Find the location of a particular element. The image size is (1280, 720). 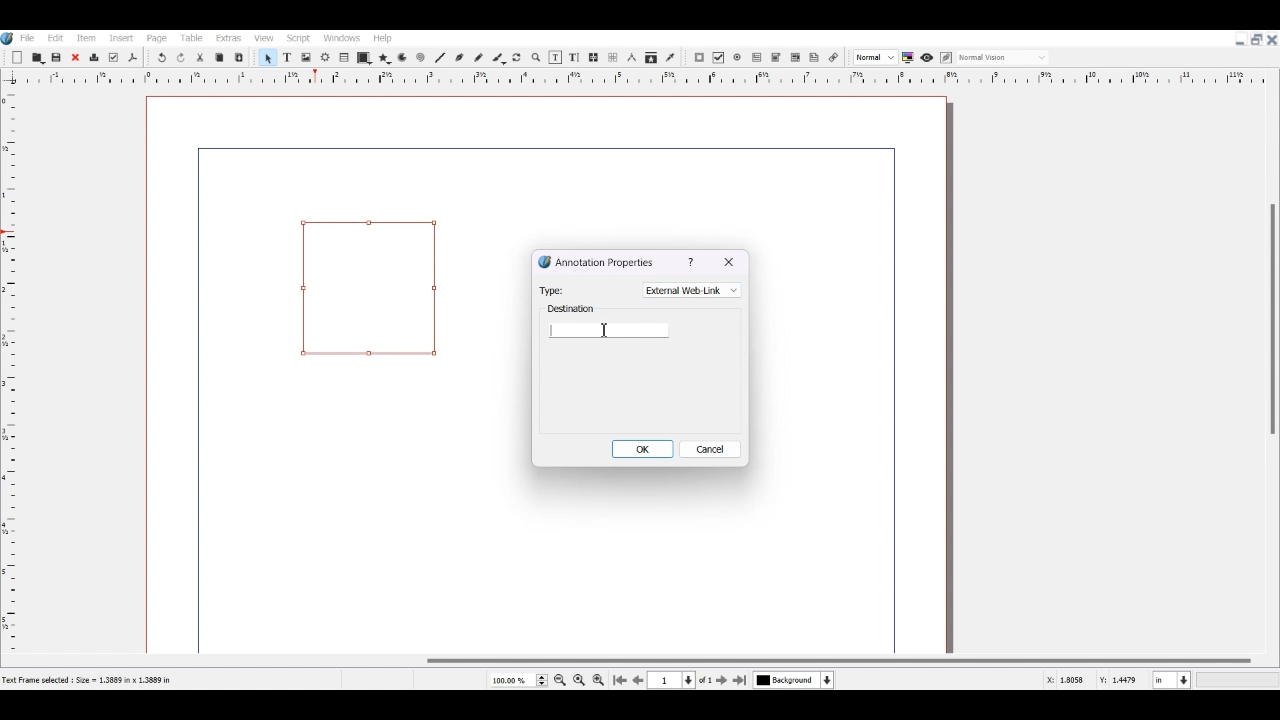

Freehand line is located at coordinates (478, 57).